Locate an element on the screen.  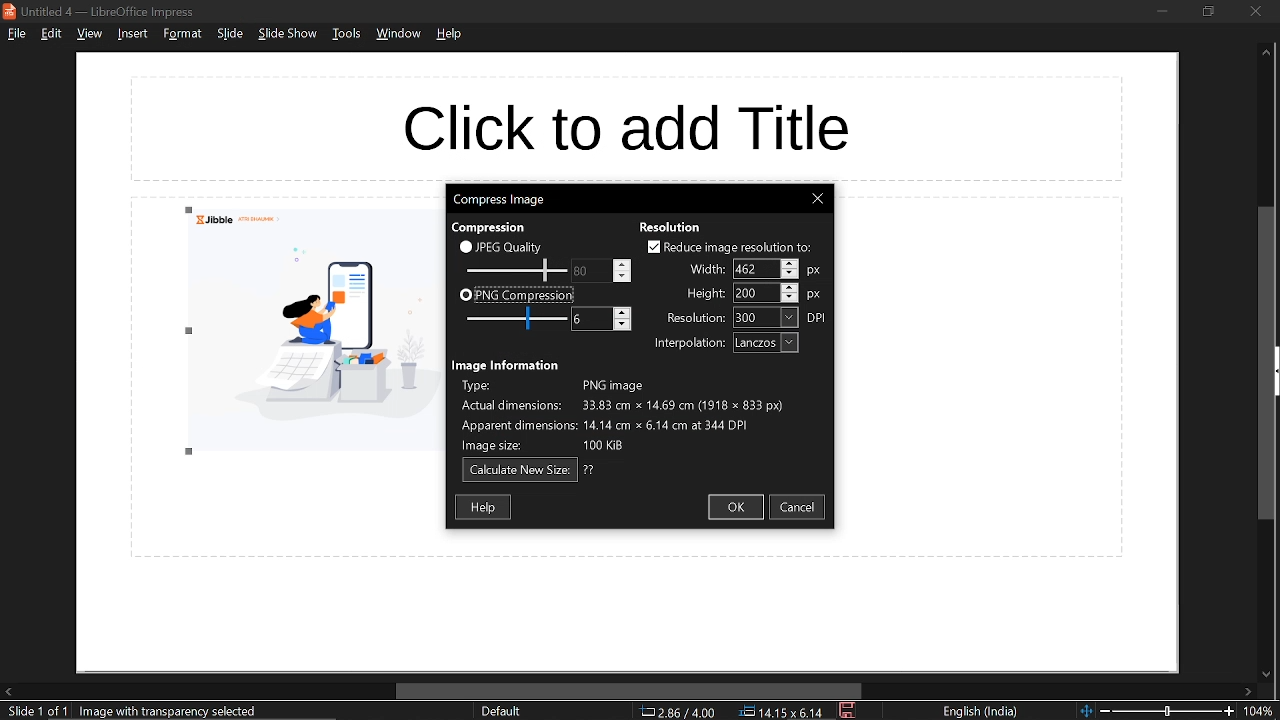
cancel is located at coordinates (800, 507).